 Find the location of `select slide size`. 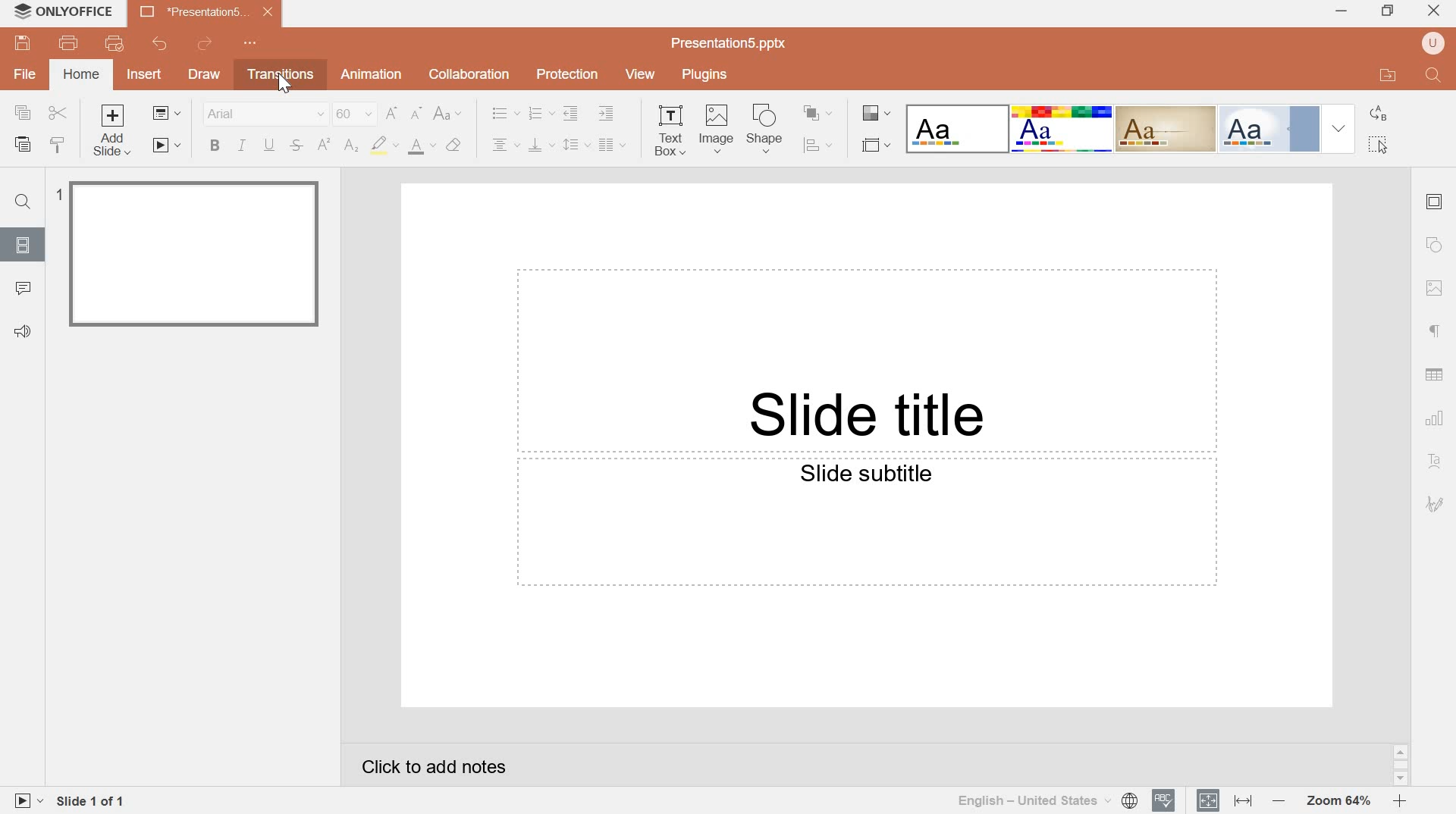

select slide size is located at coordinates (874, 146).